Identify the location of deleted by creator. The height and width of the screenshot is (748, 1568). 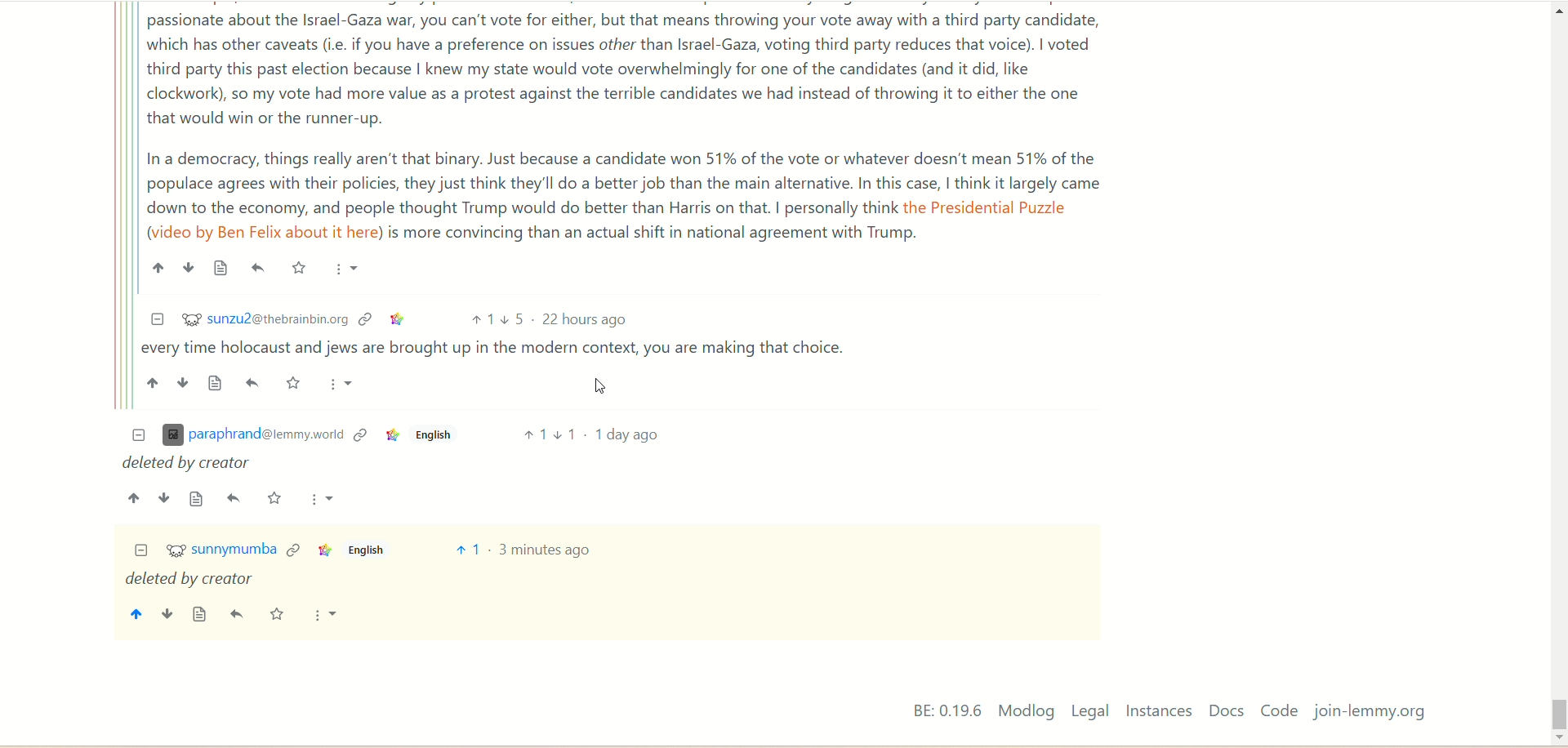
(189, 581).